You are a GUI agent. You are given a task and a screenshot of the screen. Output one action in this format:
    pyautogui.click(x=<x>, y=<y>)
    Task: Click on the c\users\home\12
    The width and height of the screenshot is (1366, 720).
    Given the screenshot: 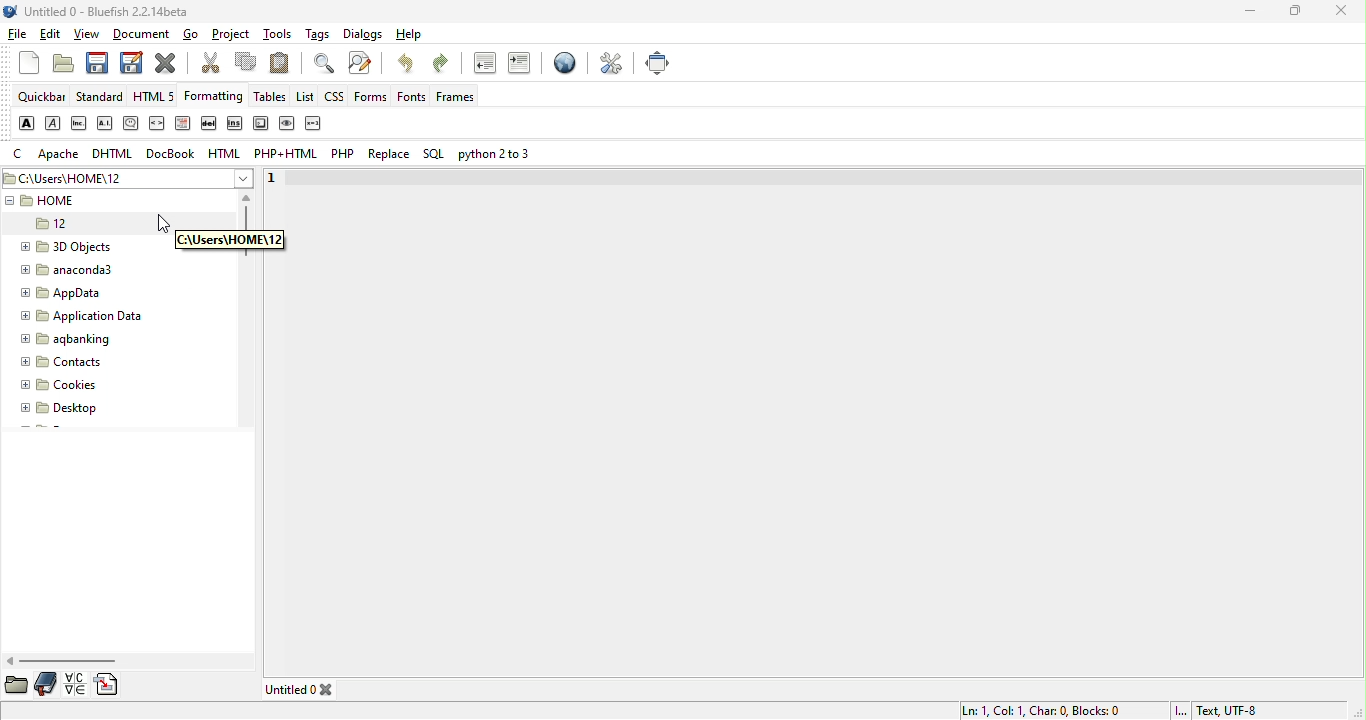 What is the action you would take?
    pyautogui.click(x=128, y=177)
    